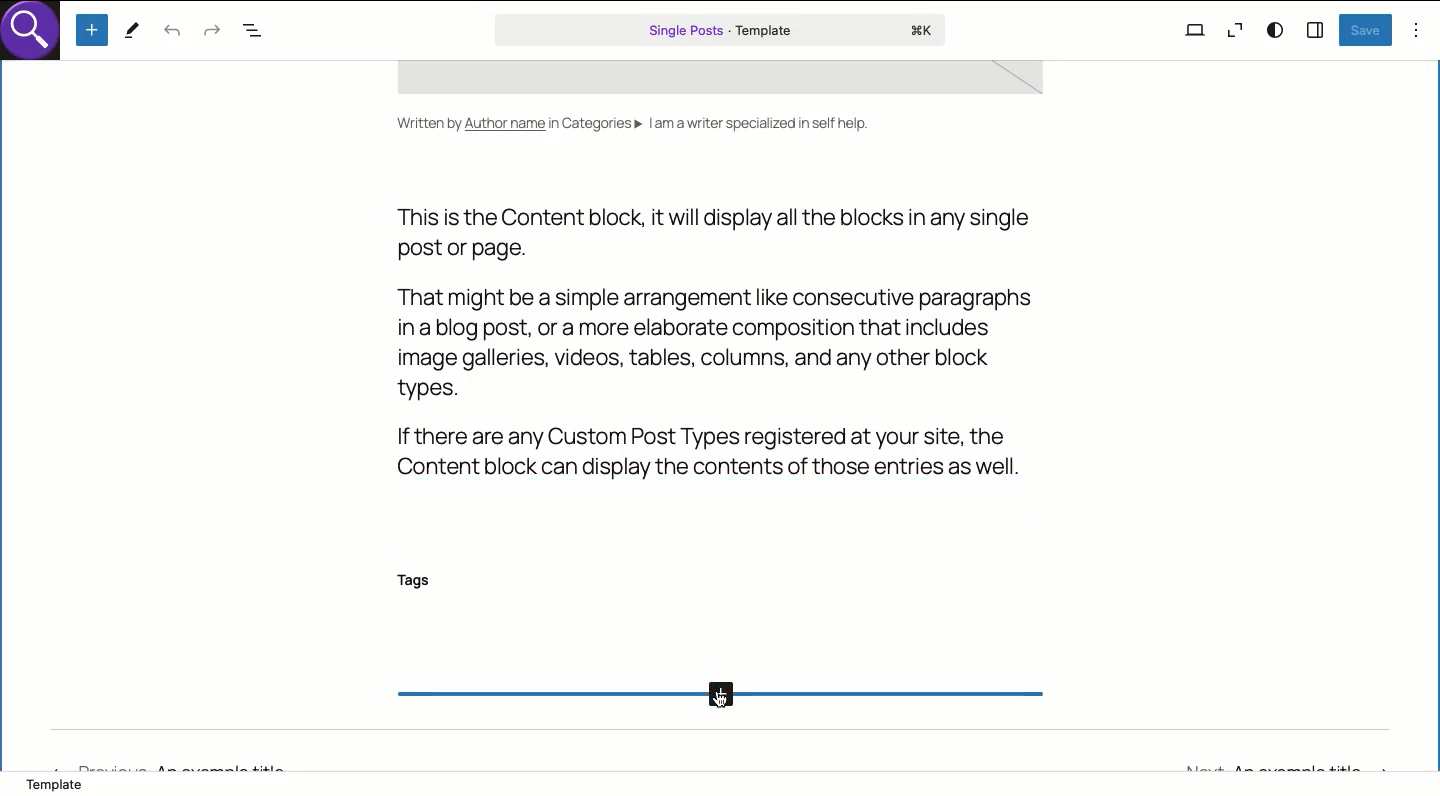  Describe the element at coordinates (94, 30) in the screenshot. I see `Add new block` at that location.